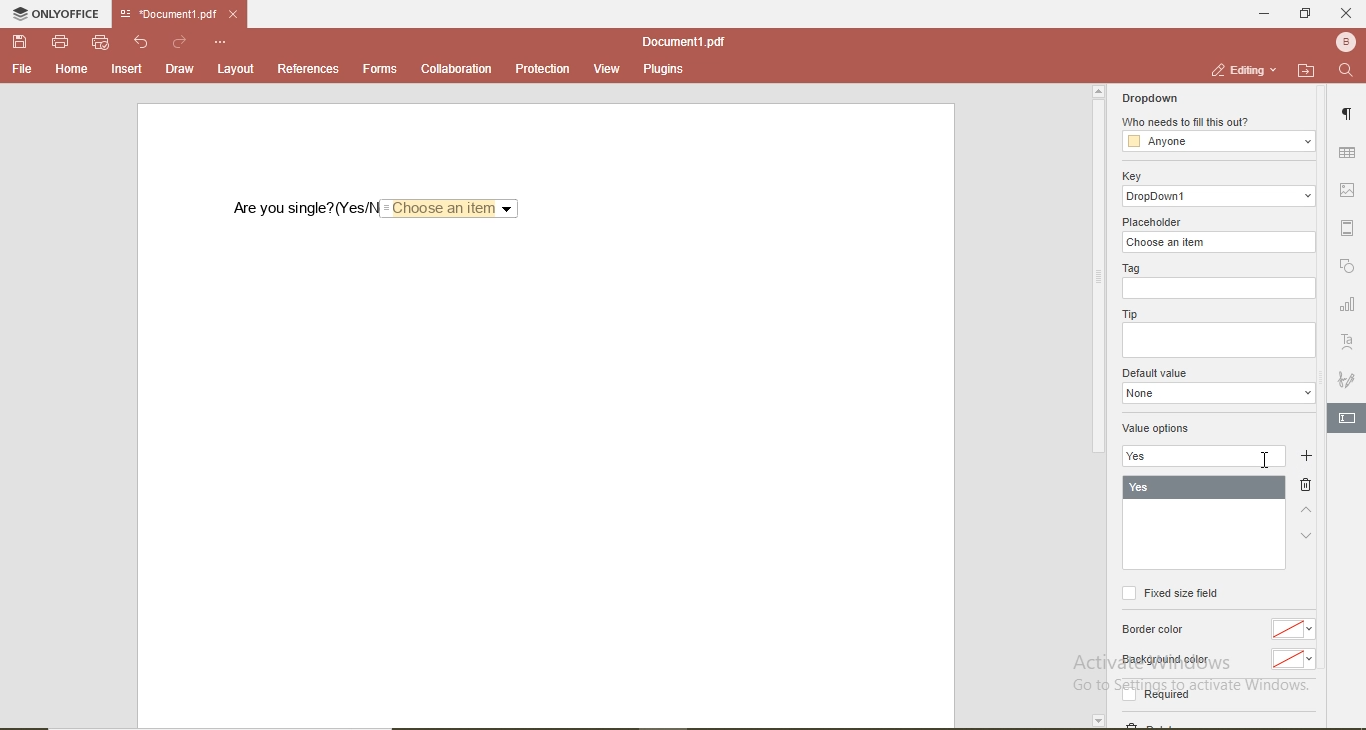 The width and height of the screenshot is (1366, 730). What do you see at coordinates (1346, 154) in the screenshot?
I see `table` at bounding box center [1346, 154].